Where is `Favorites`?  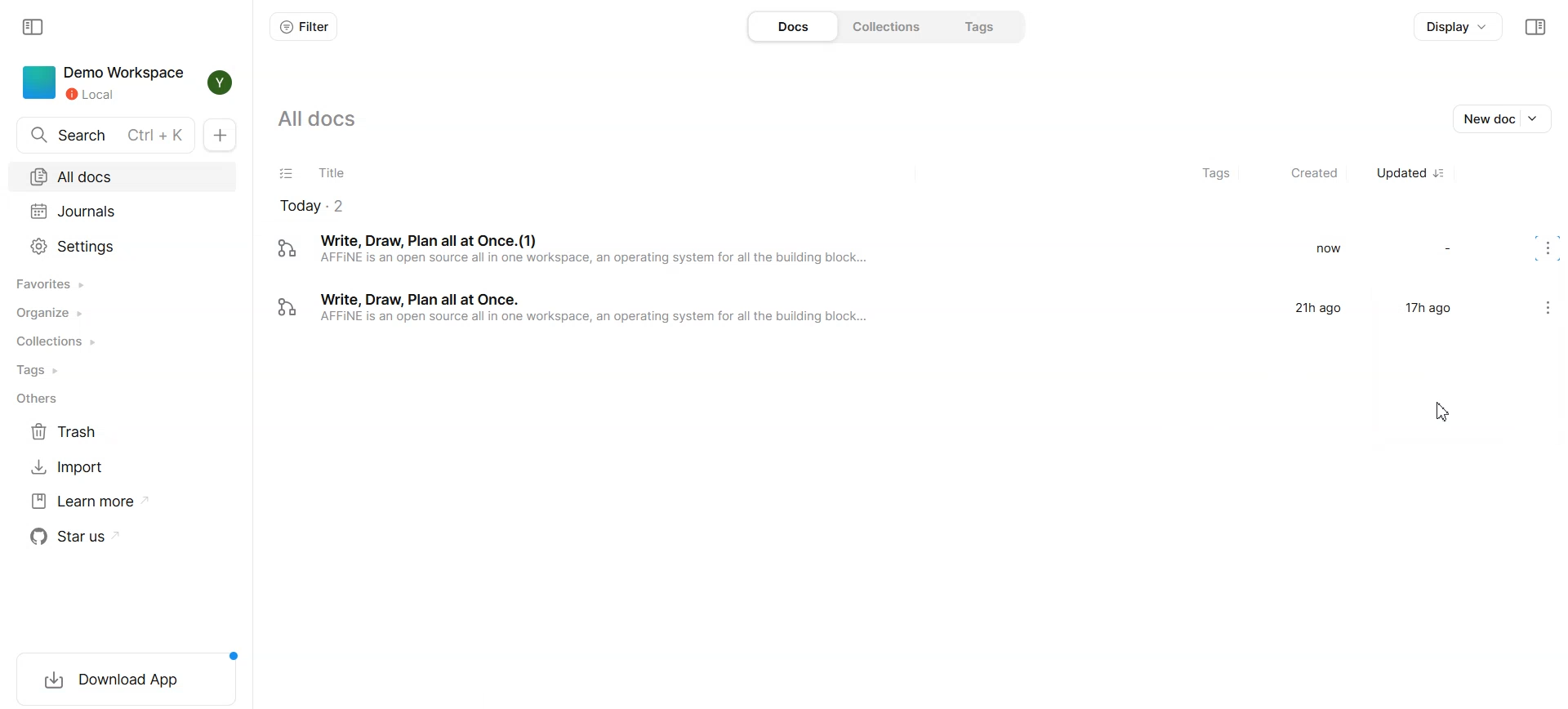 Favorites is located at coordinates (122, 285).